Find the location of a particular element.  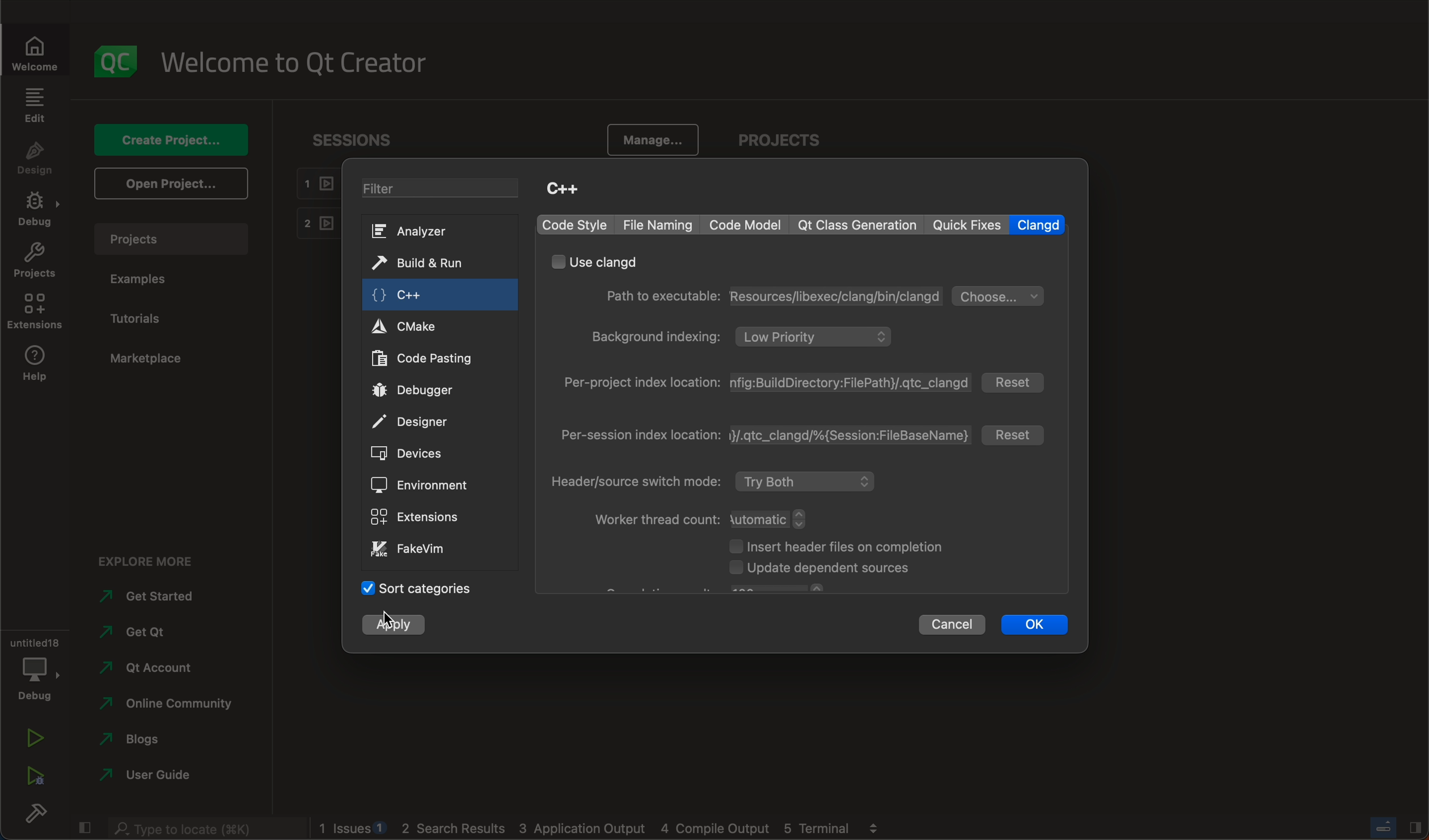

qt class is located at coordinates (860, 224).